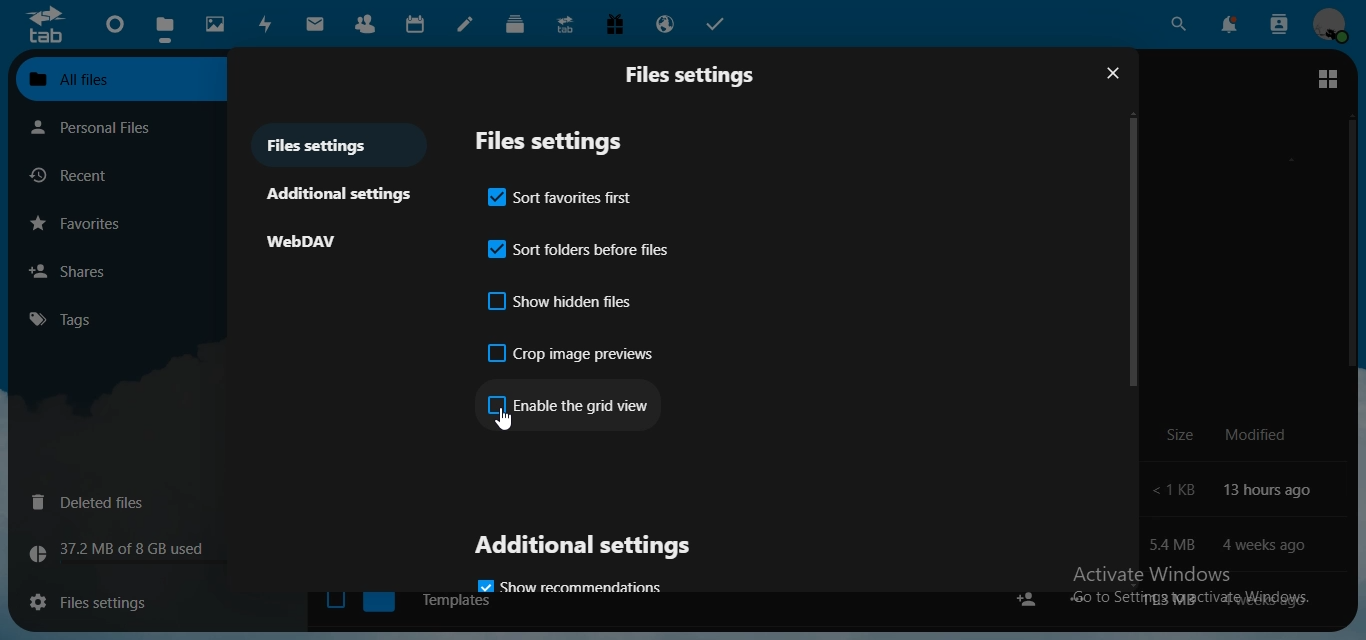  Describe the element at coordinates (121, 271) in the screenshot. I see `shares` at that location.